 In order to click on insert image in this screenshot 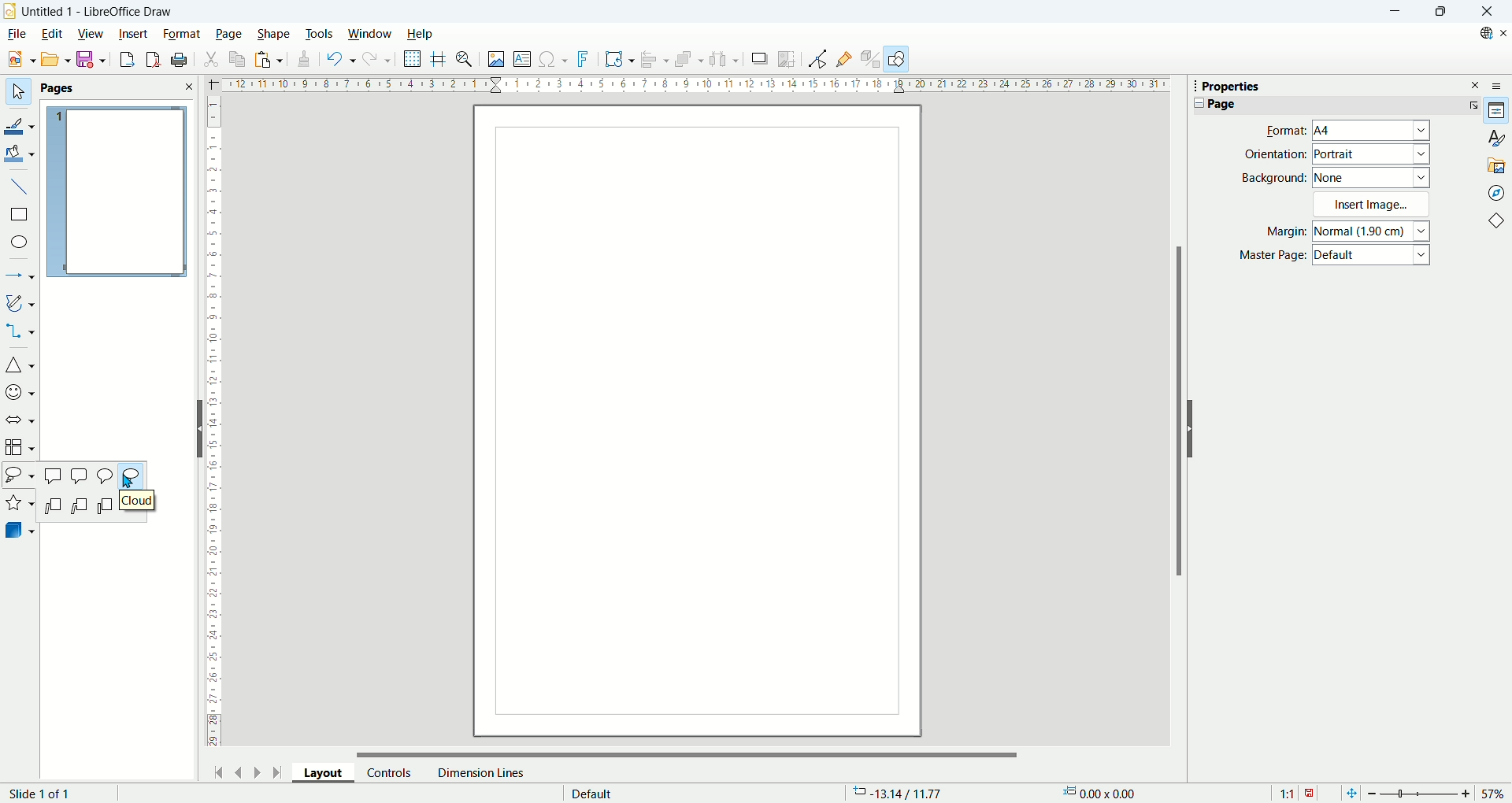, I will do `click(495, 61)`.